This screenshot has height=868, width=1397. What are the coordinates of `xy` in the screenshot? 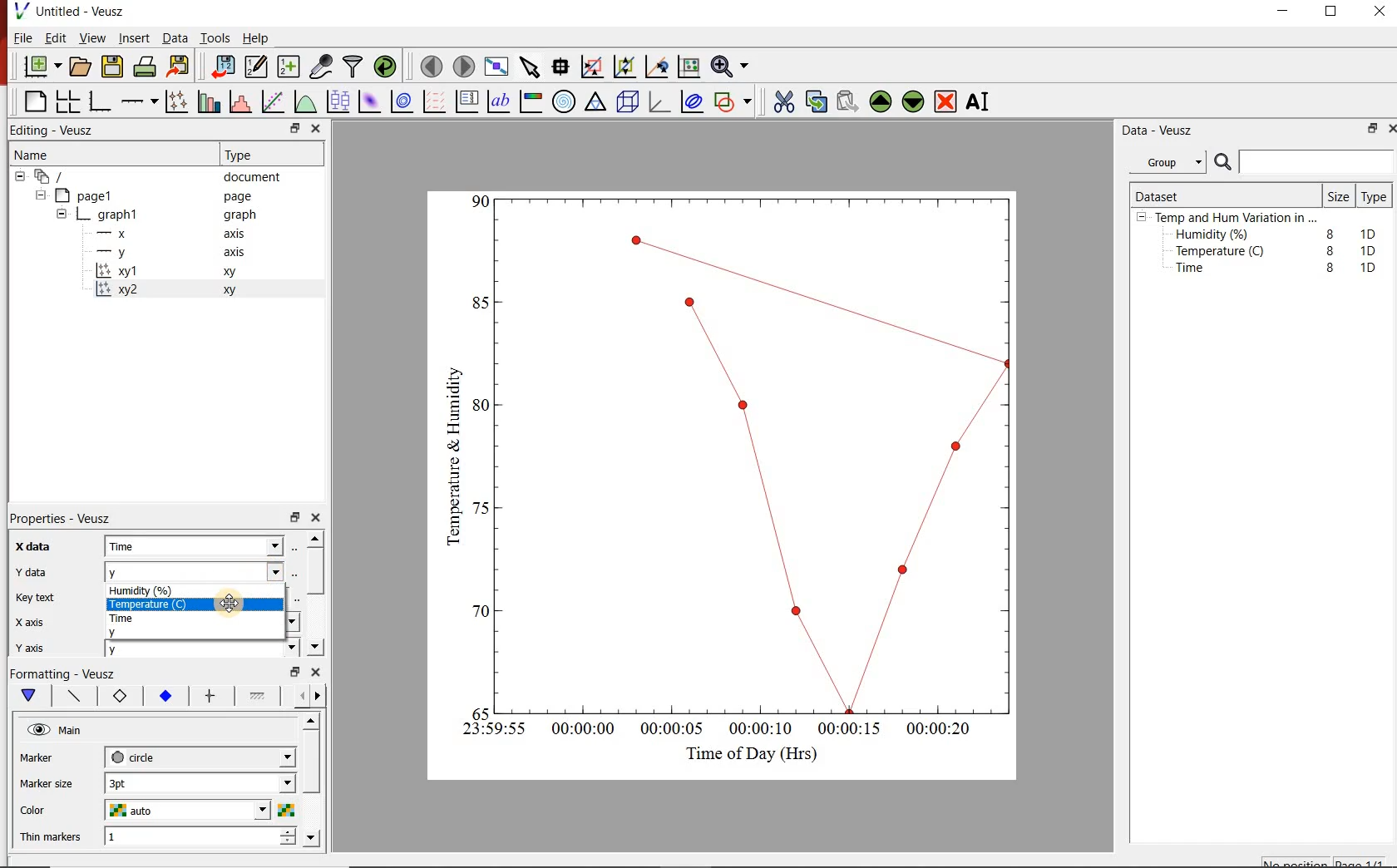 It's located at (233, 274).